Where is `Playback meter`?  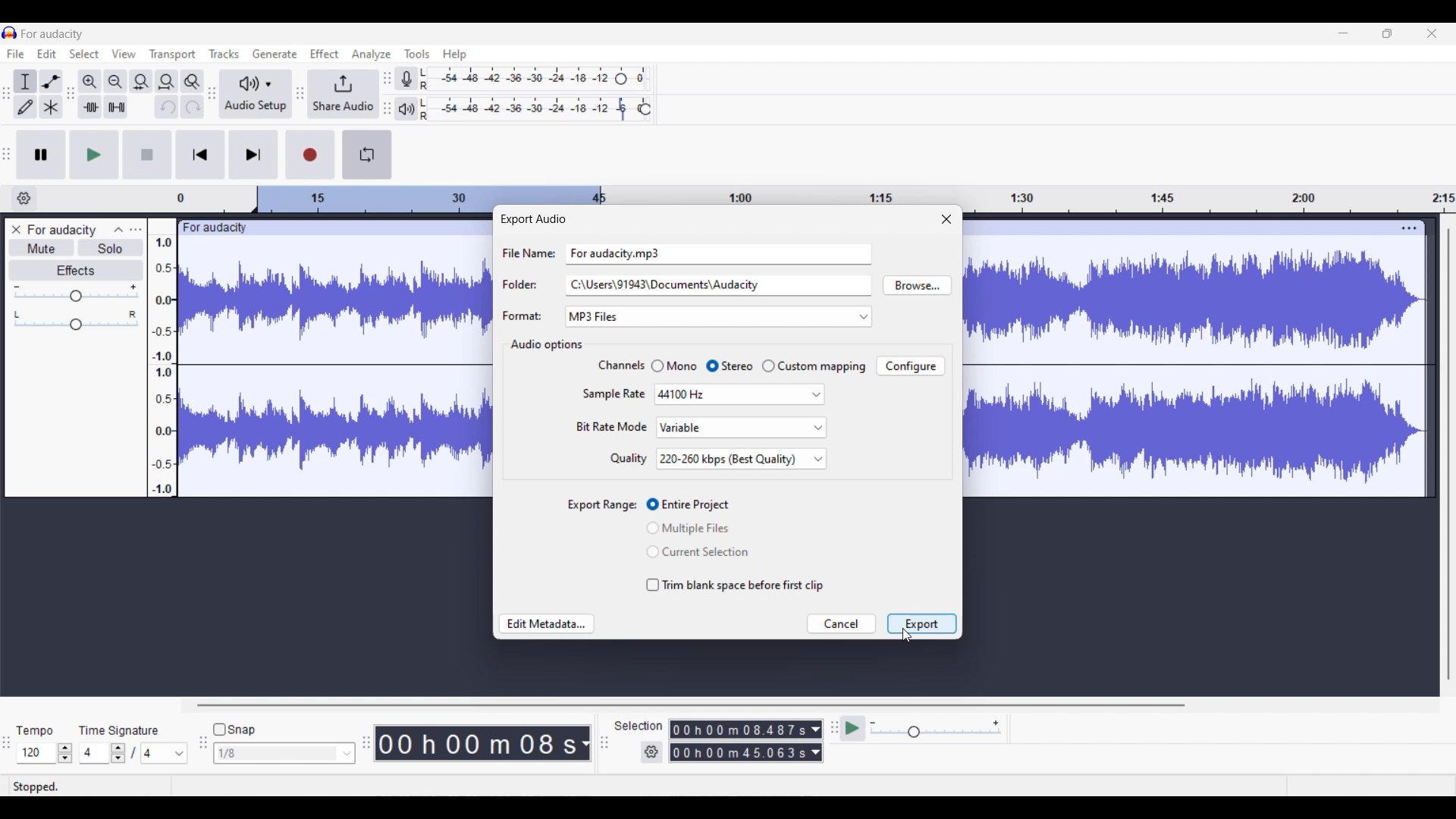 Playback meter is located at coordinates (406, 109).